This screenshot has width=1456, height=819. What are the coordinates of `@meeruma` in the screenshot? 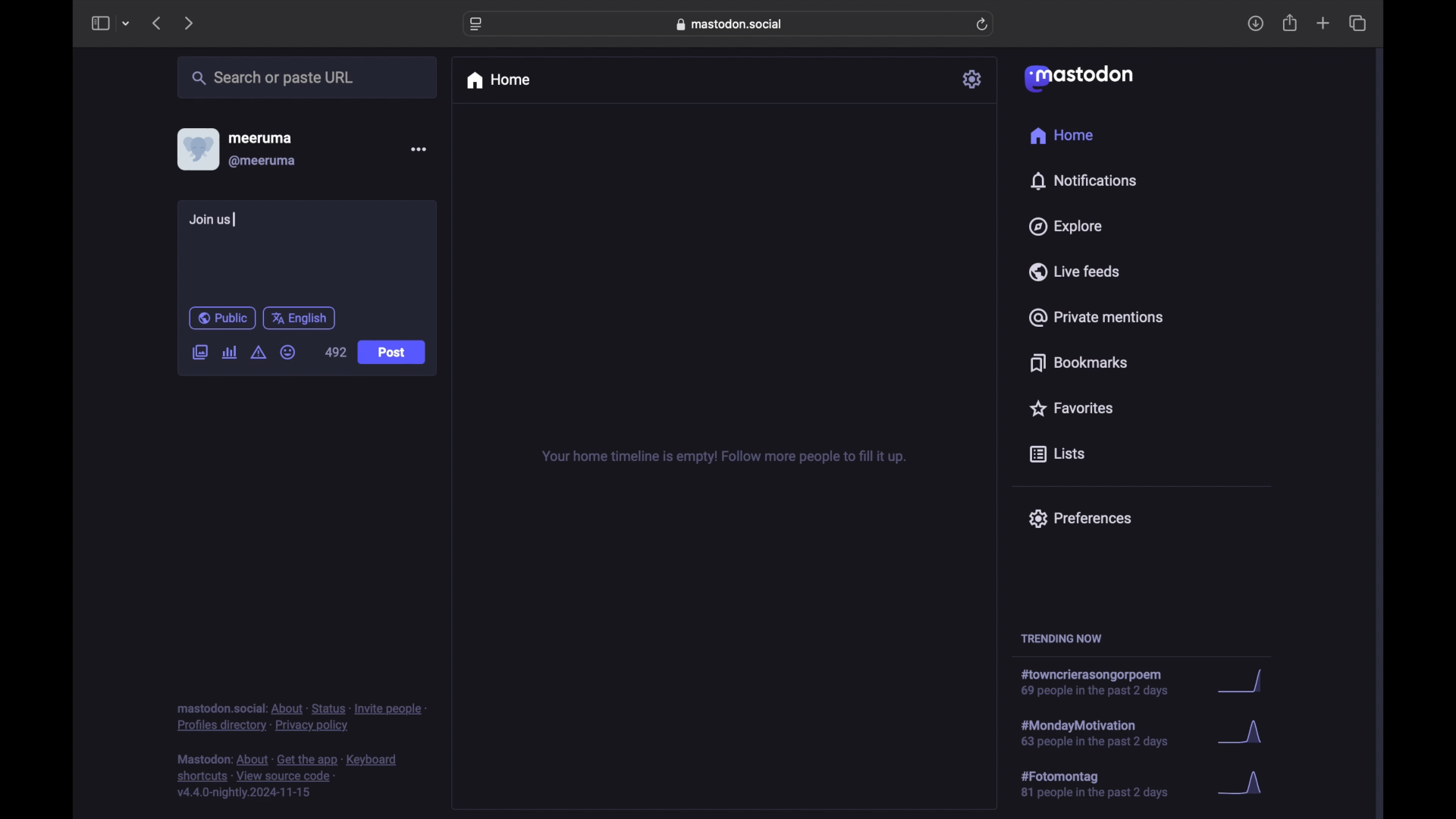 It's located at (262, 162).